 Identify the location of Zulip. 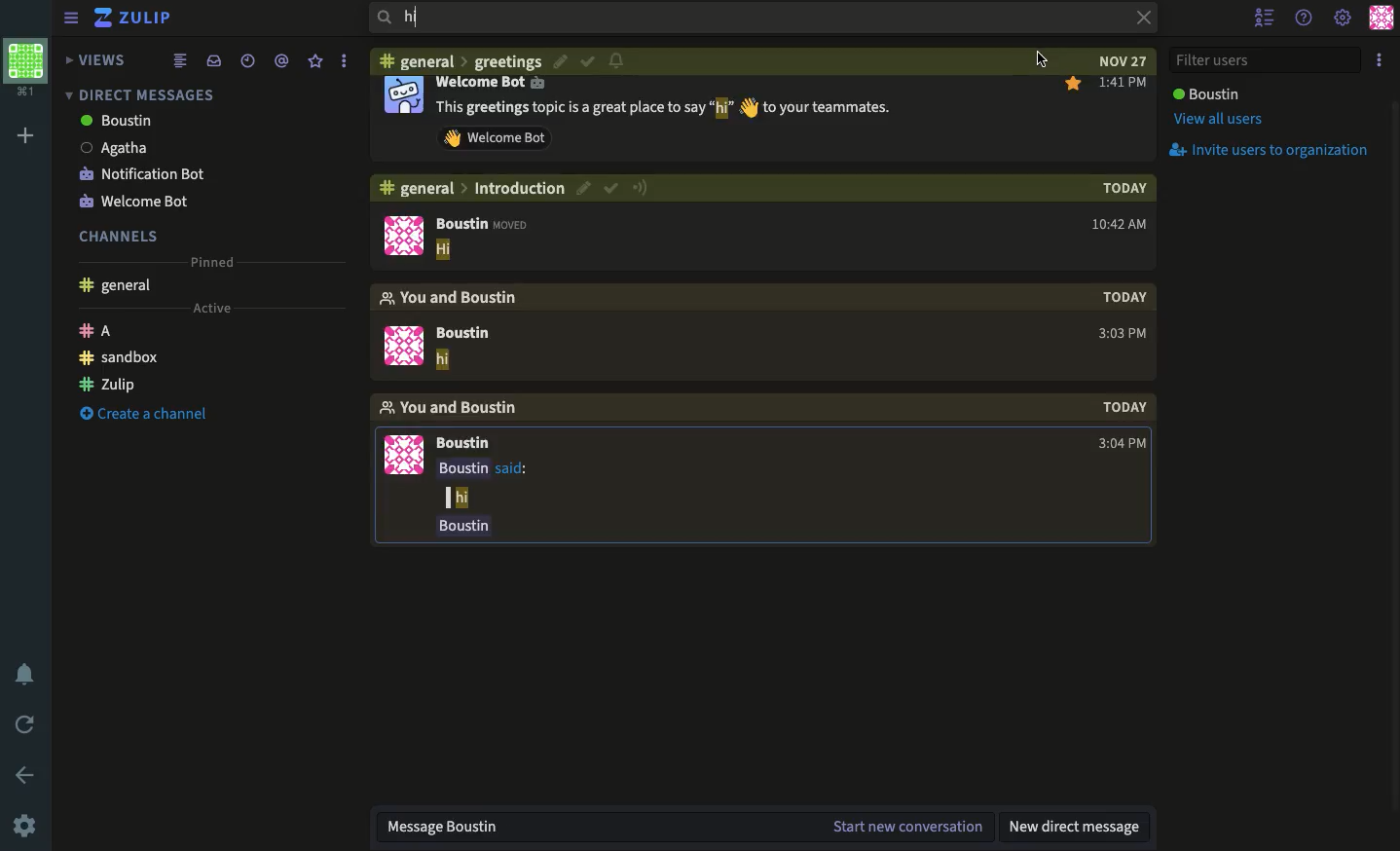
(107, 384).